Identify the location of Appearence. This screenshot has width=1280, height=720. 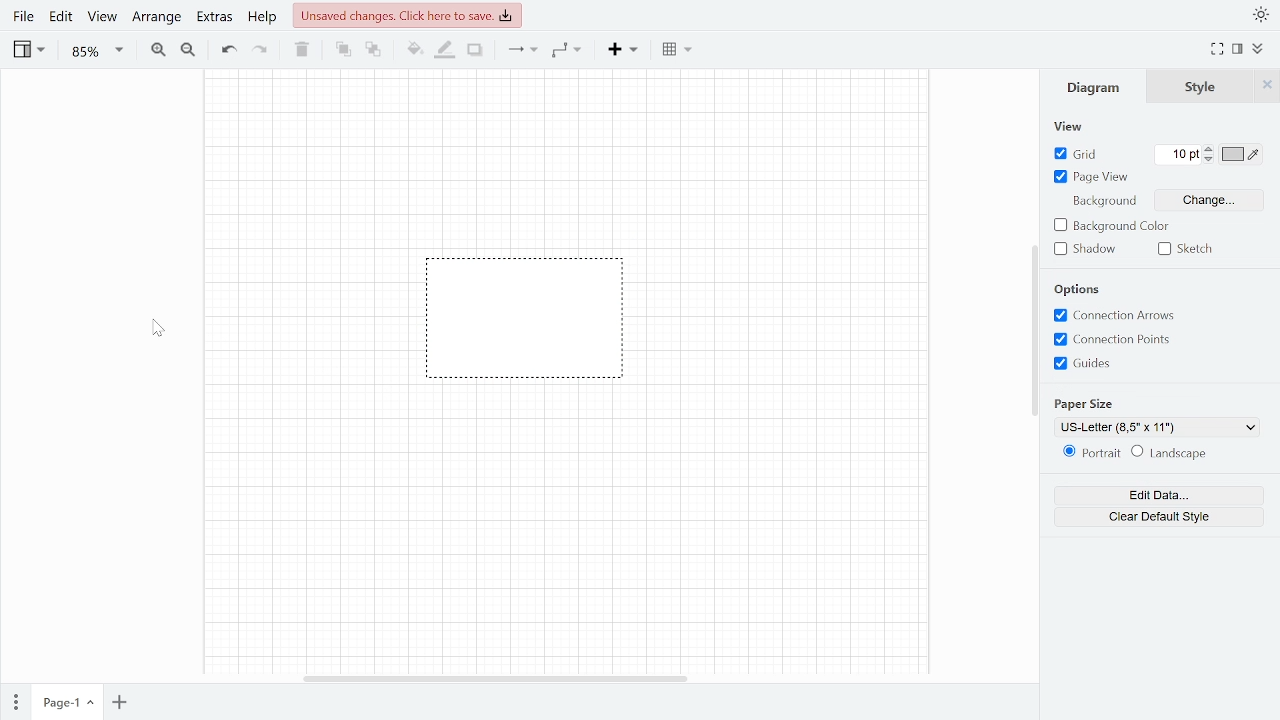
(1262, 13).